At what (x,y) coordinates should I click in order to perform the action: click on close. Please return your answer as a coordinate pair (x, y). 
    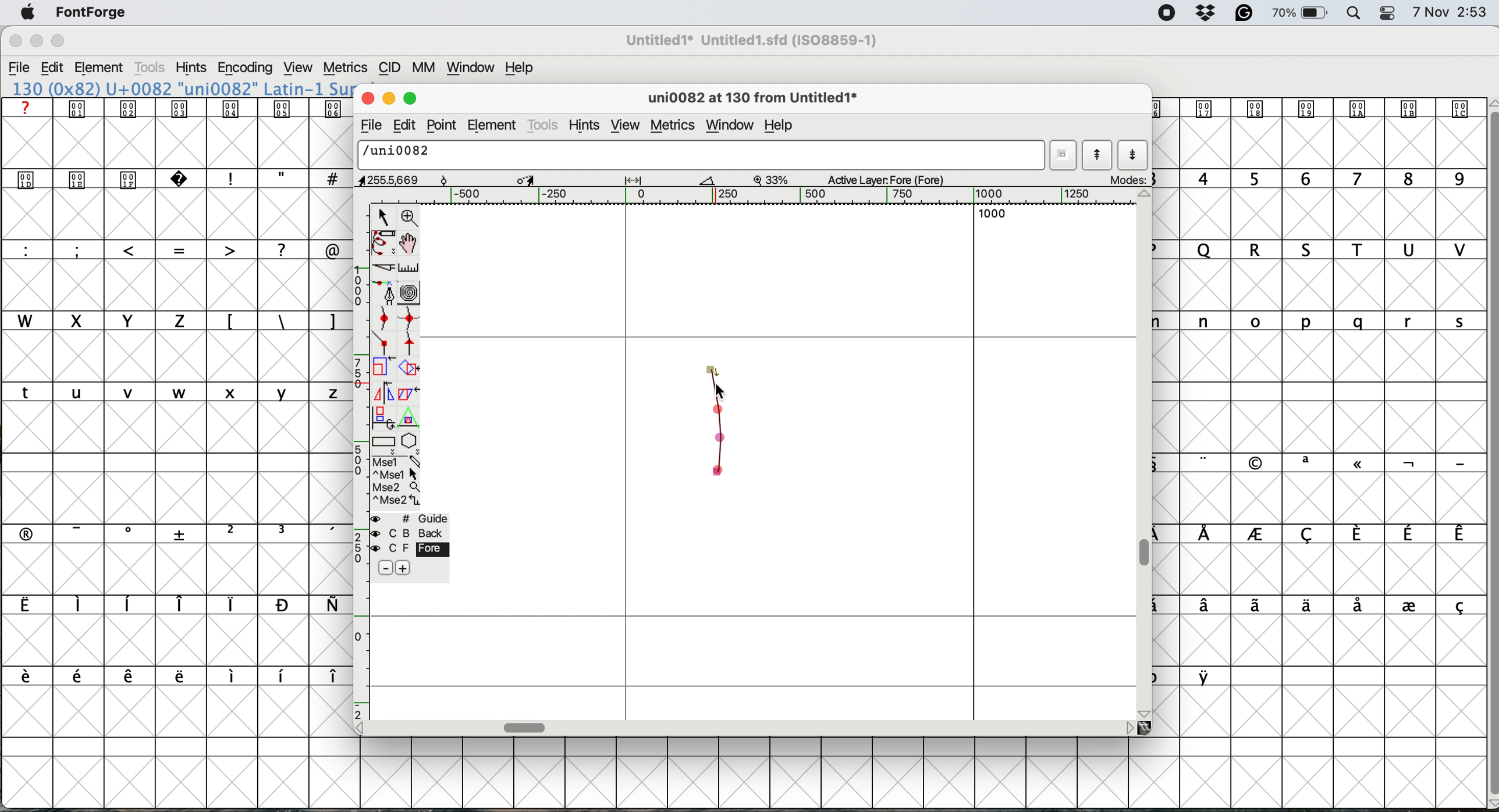
    Looking at the image, I should click on (368, 99).